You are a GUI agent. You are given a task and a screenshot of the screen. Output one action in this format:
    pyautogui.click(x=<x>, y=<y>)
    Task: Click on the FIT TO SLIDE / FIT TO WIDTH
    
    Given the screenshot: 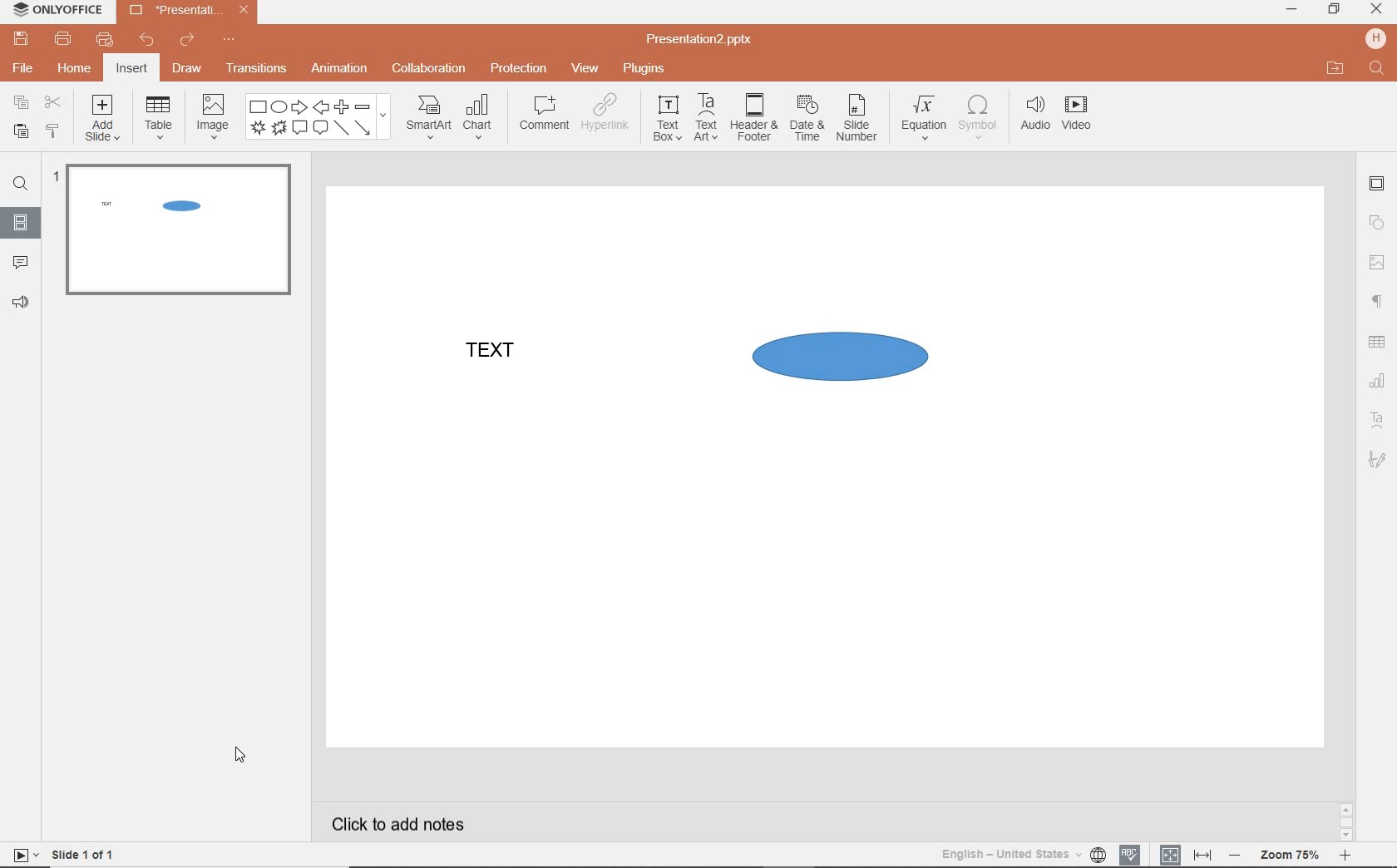 What is the action you would take?
    pyautogui.click(x=1187, y=853)
    